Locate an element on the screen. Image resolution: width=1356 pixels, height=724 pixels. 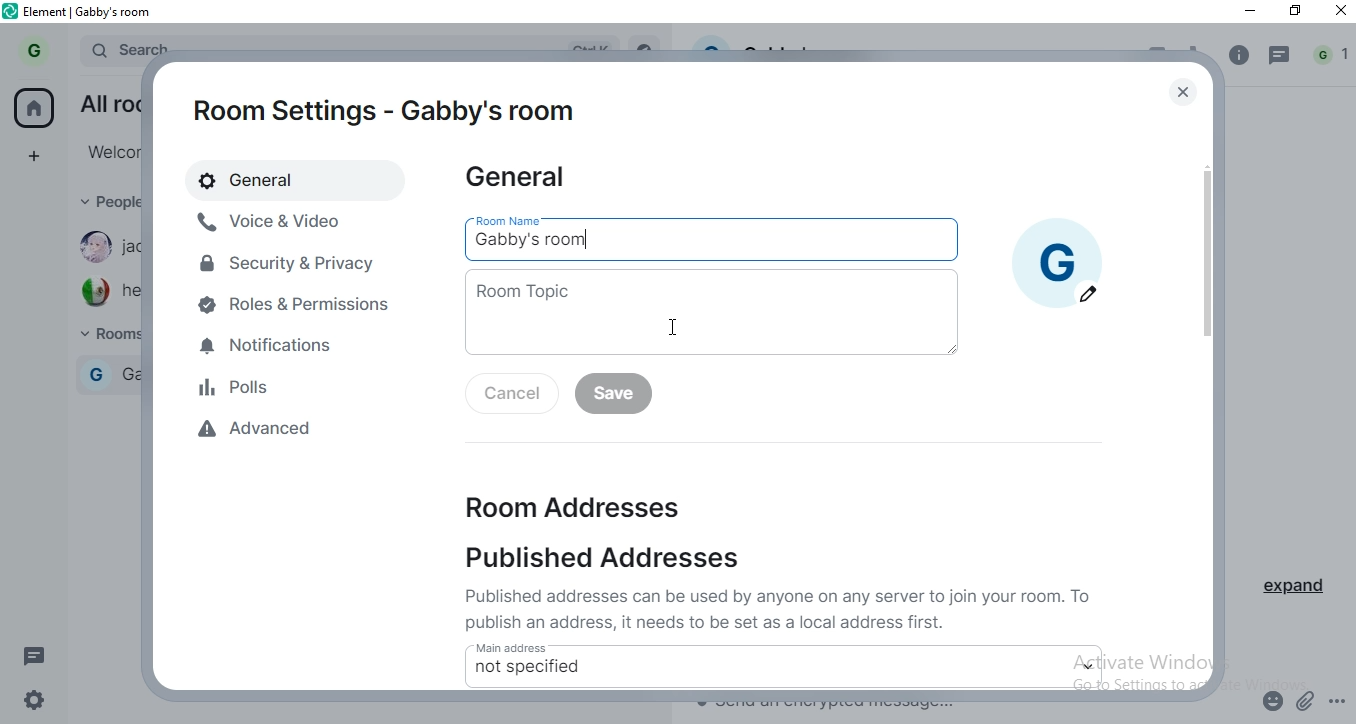
room name is located at coordinates (520, 219).